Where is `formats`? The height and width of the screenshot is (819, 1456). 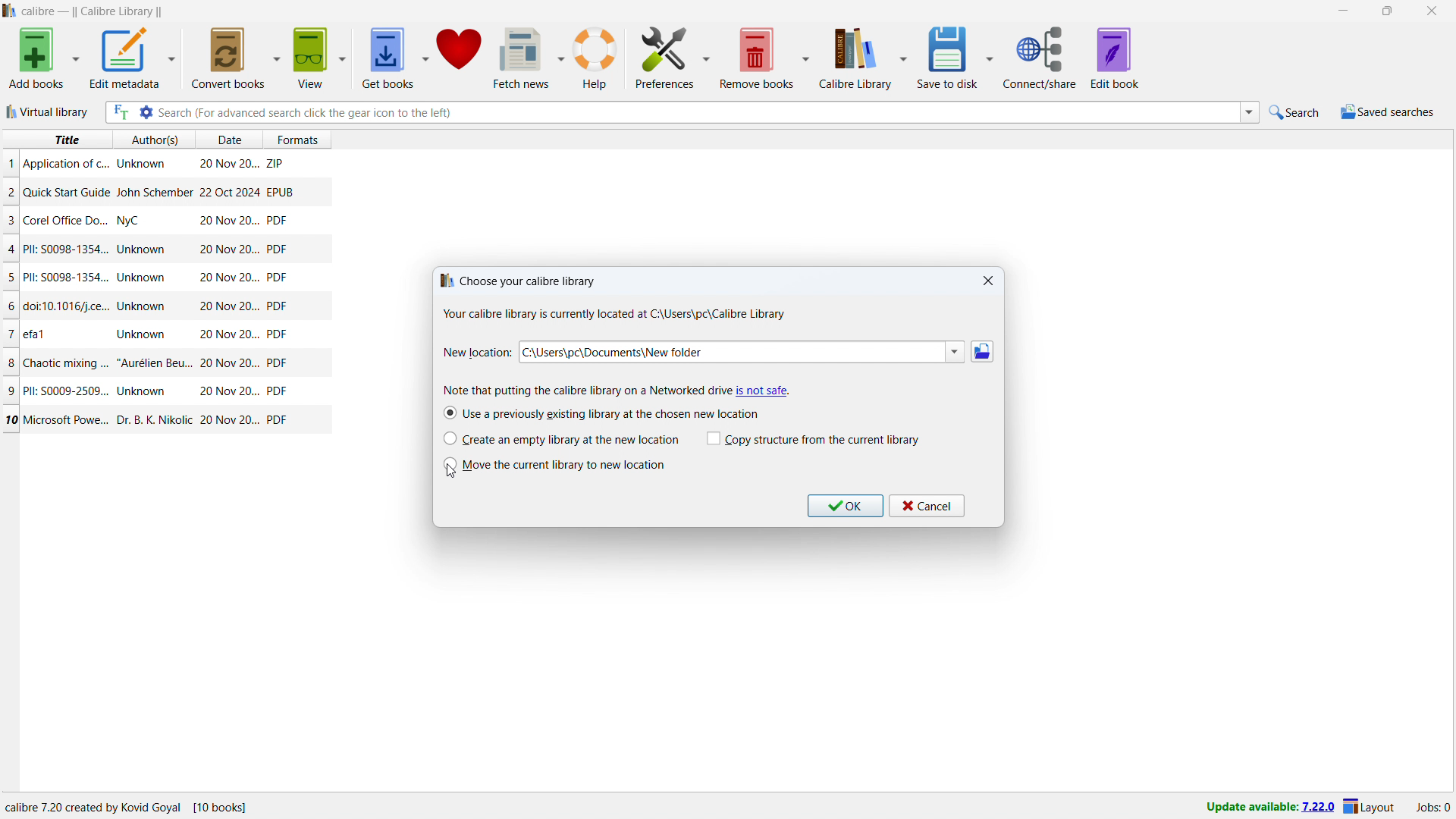 formats is located at coordinates (304, 137).